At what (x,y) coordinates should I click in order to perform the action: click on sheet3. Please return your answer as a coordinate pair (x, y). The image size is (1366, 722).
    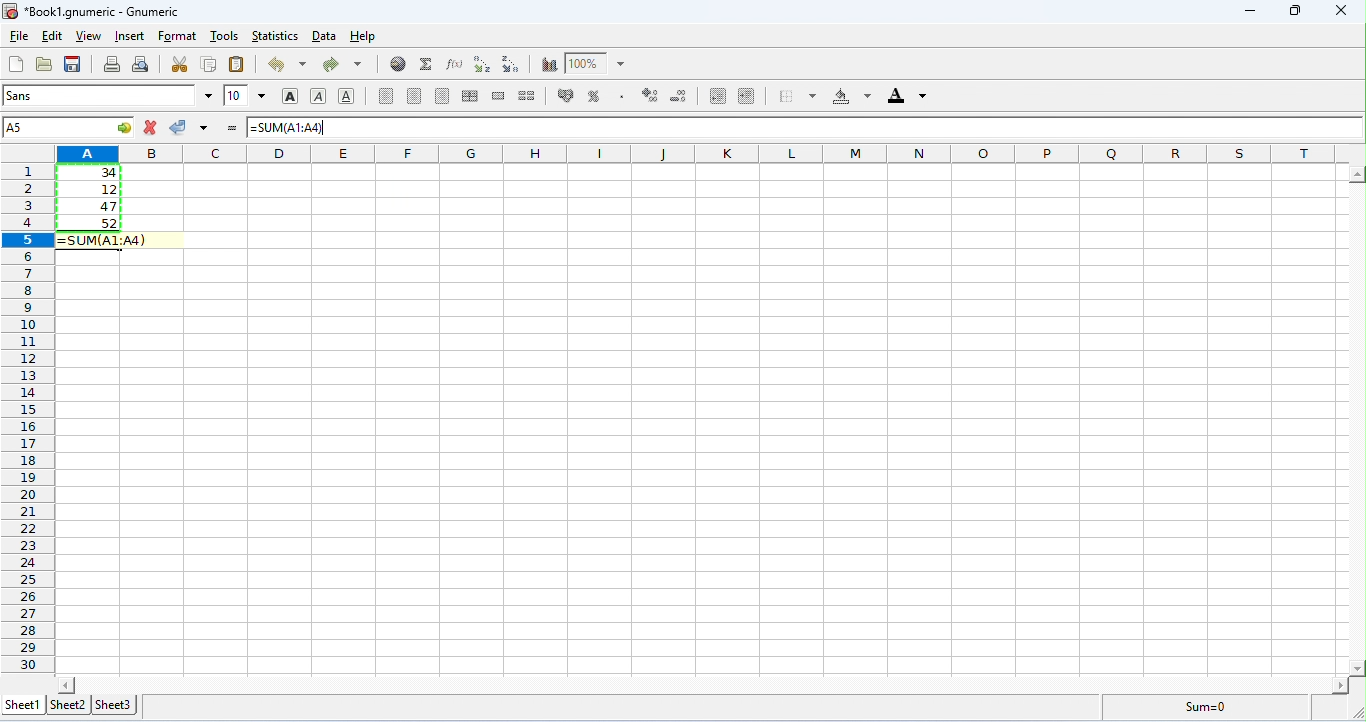
    Looking at the image, I should click on (114, 706).